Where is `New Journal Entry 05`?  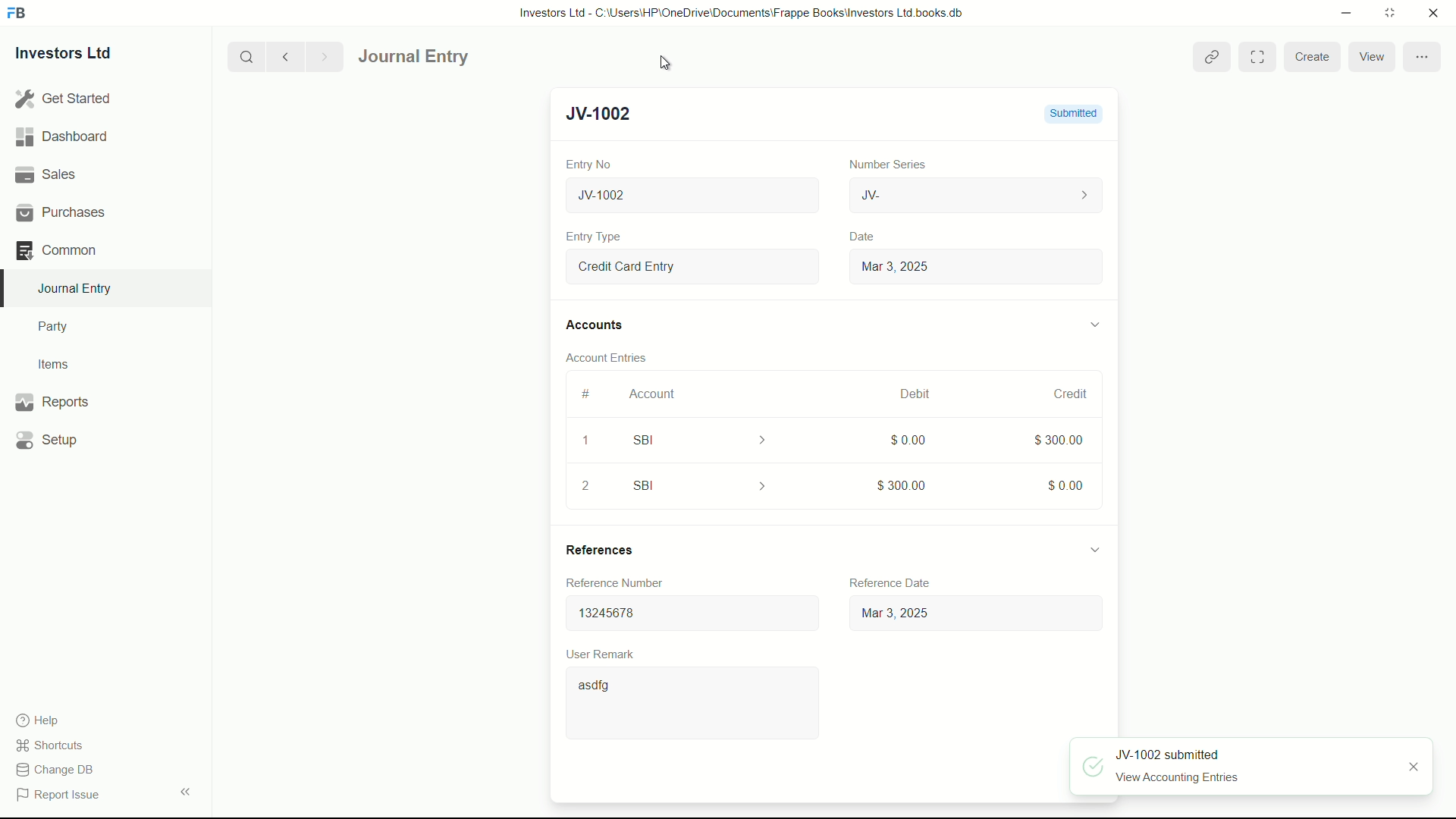 New Journal Entry 05 is located at coordinates (695, 196).